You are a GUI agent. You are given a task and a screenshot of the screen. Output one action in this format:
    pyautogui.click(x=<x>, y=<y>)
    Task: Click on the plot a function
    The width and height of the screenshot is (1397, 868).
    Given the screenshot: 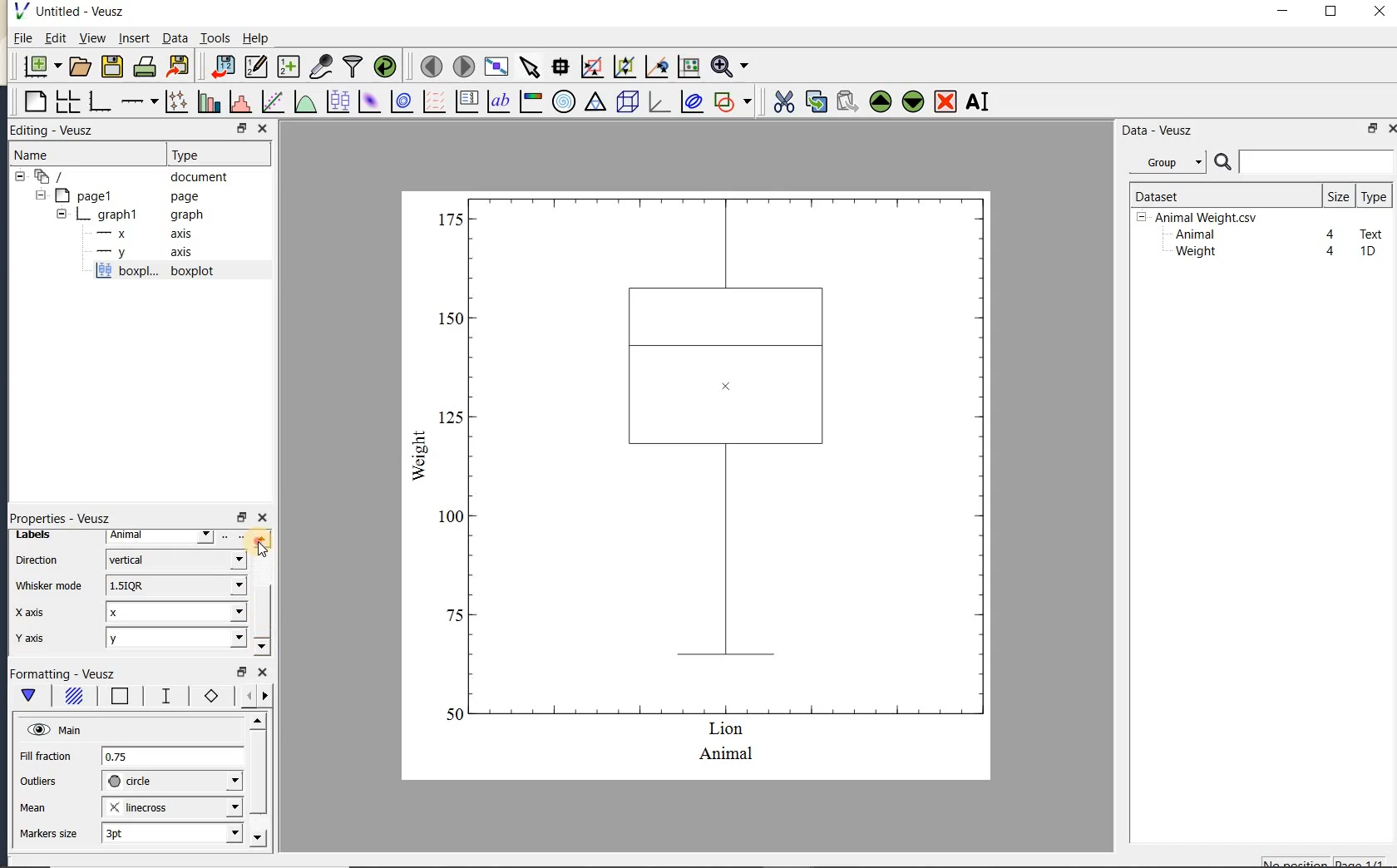 What is the action you would take?
    pyautogui.click(x=304, y=104)
    